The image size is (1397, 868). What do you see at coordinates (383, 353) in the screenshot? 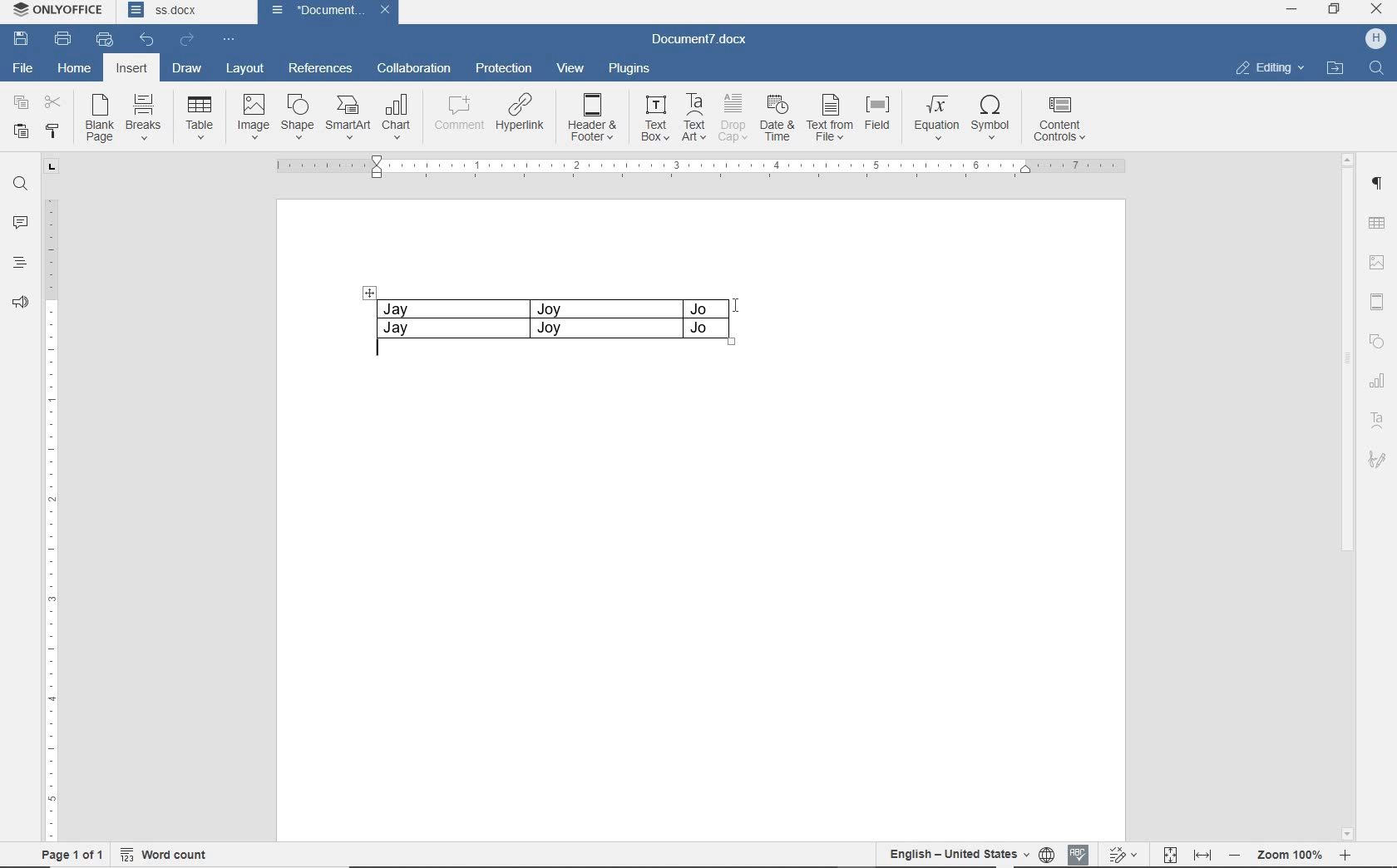
I see `typing text` at bounding box center [383, 353].